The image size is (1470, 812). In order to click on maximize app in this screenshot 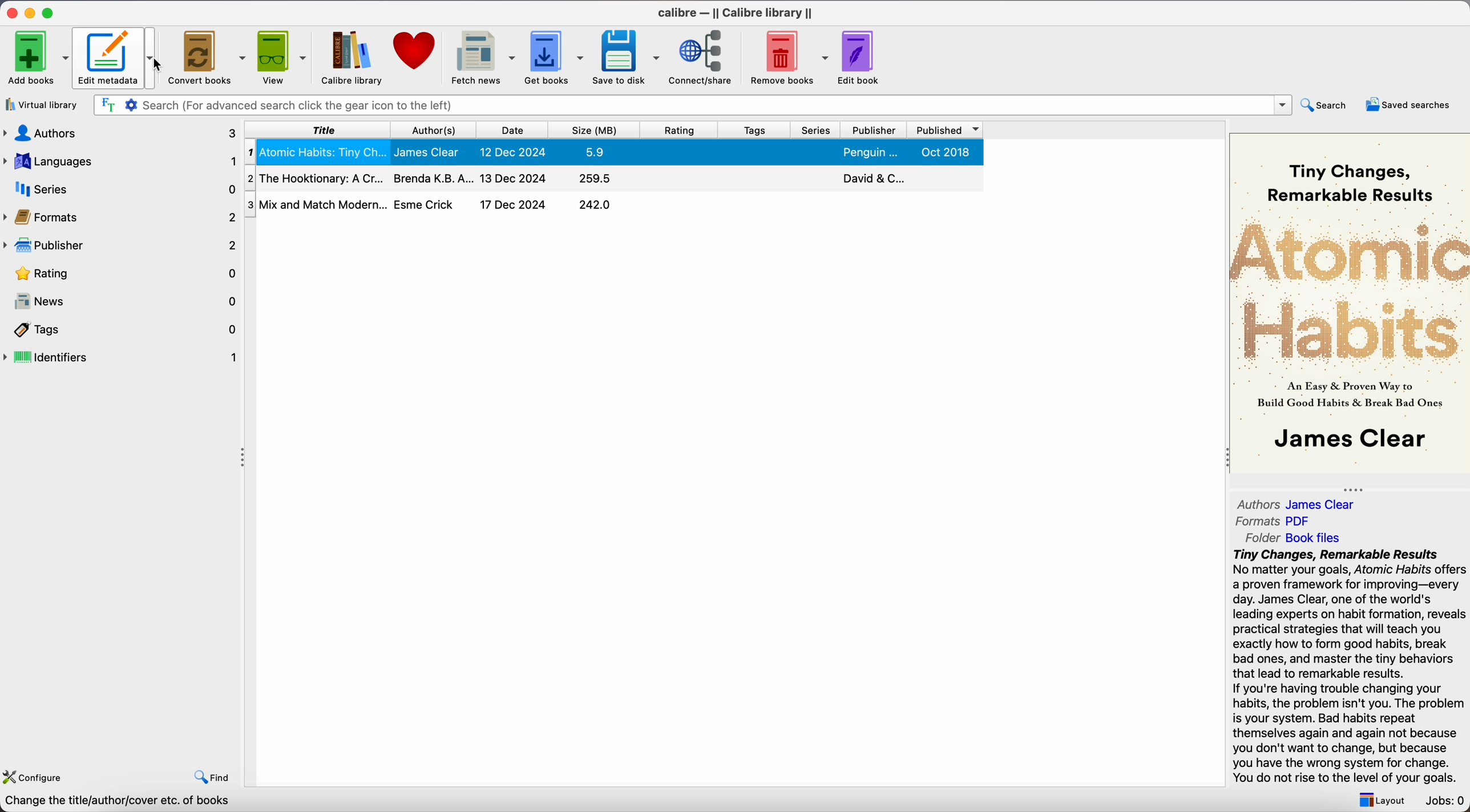, I will do `click(50, 13)`.